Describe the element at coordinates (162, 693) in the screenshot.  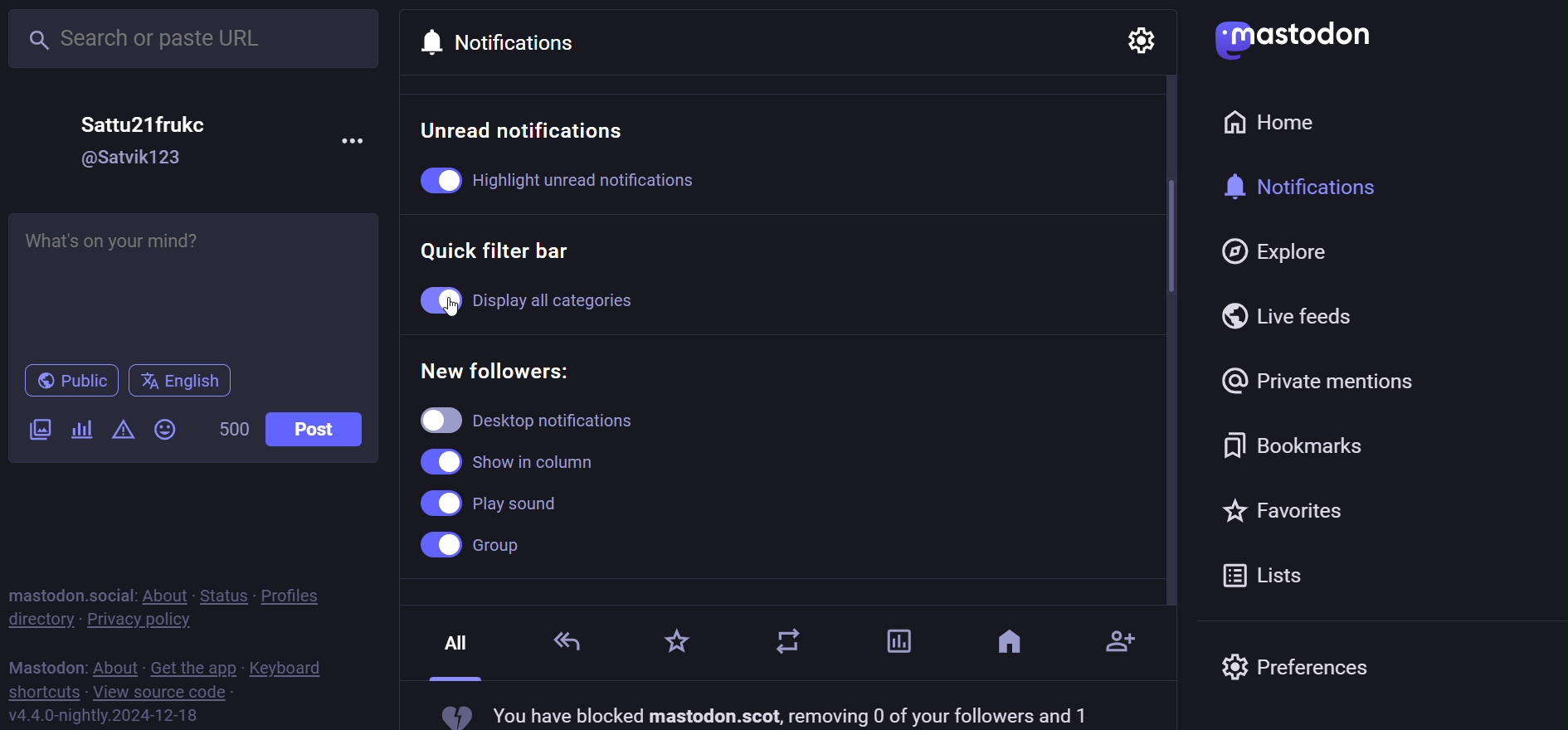
I see `view source code` at that location.